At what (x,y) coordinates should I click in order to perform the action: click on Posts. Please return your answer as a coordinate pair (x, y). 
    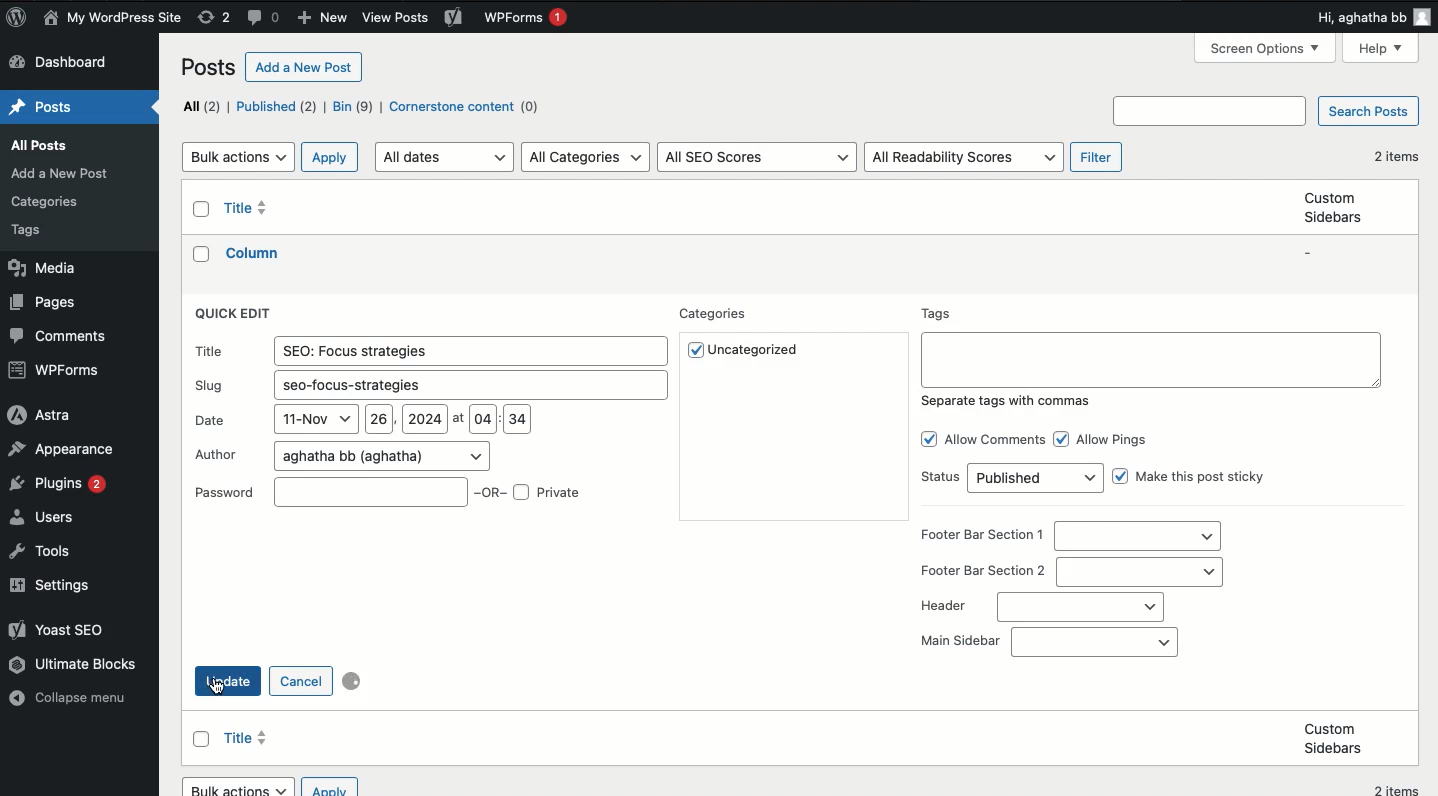
    Looking at the image, I should click on (48, 202).